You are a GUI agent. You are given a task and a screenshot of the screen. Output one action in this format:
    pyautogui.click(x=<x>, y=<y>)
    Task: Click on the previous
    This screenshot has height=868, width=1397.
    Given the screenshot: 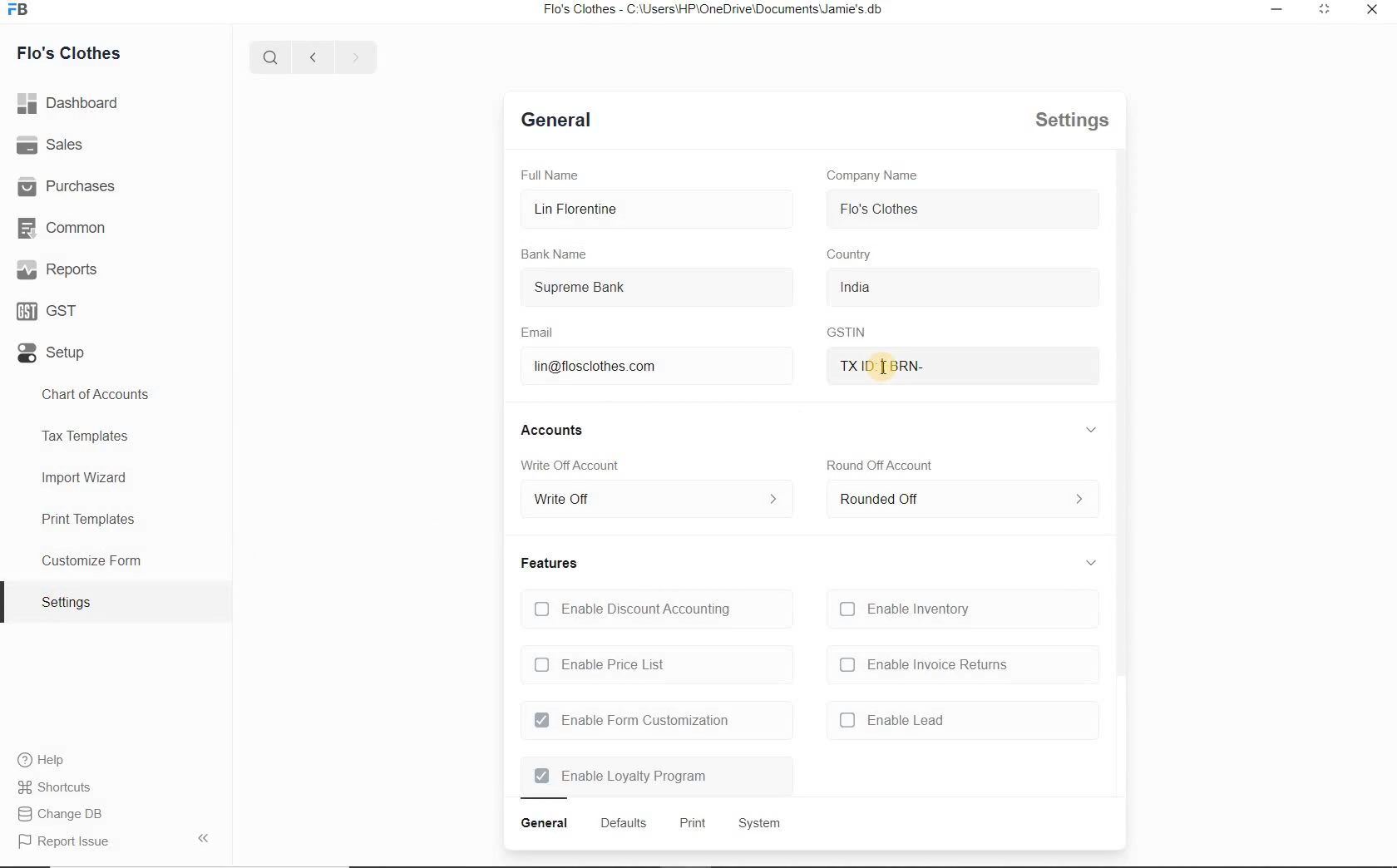 What is the action you would take?
    pyautogui.click(x=311, y=57)
    